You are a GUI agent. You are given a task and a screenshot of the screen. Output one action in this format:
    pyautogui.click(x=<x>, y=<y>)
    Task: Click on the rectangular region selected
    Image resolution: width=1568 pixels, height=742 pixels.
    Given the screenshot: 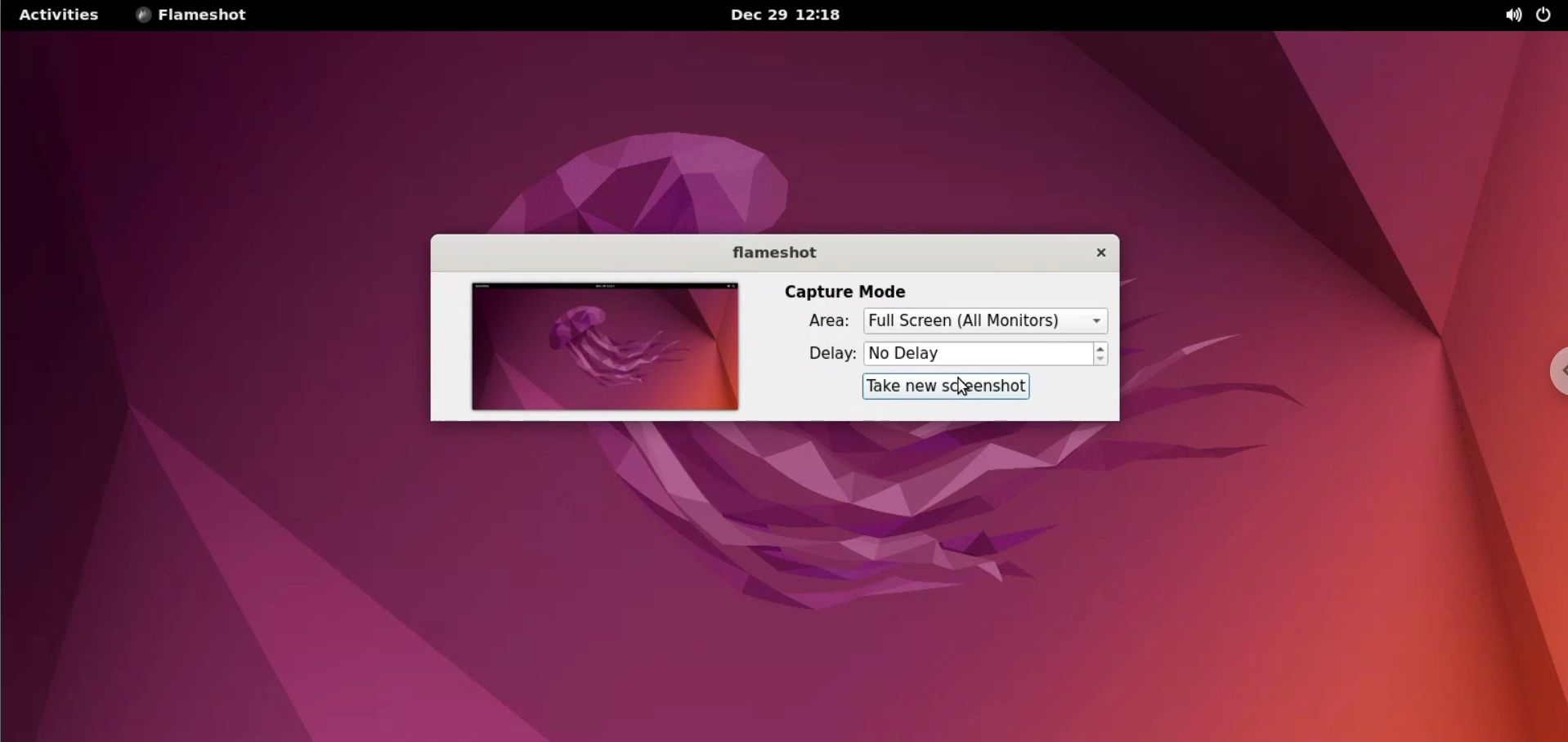 What is the action you would take?
    pyautogui.click(x=984, y=321)
    